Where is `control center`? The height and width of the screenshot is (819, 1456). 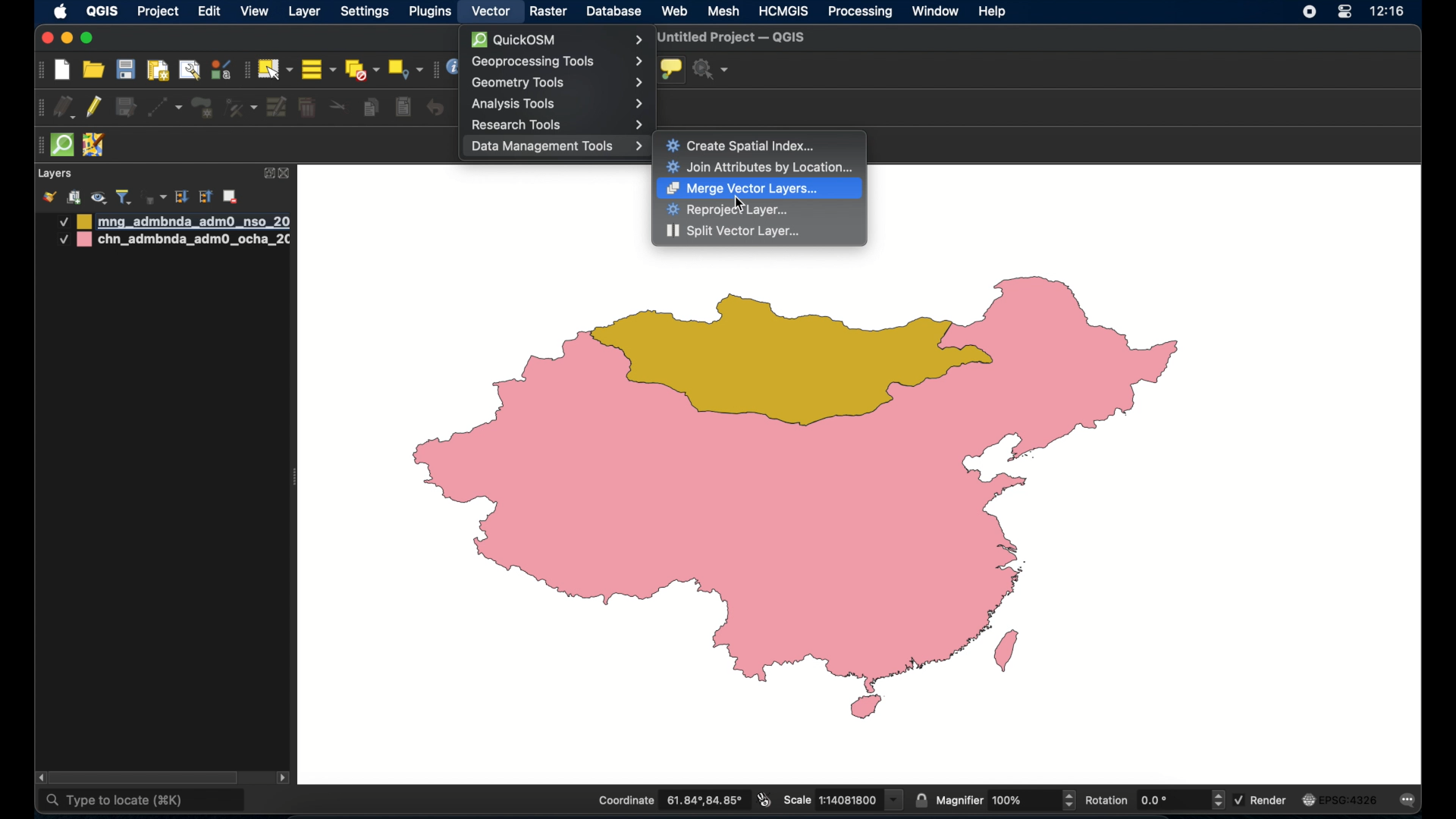
control center is located at coordinates (1344, 13).